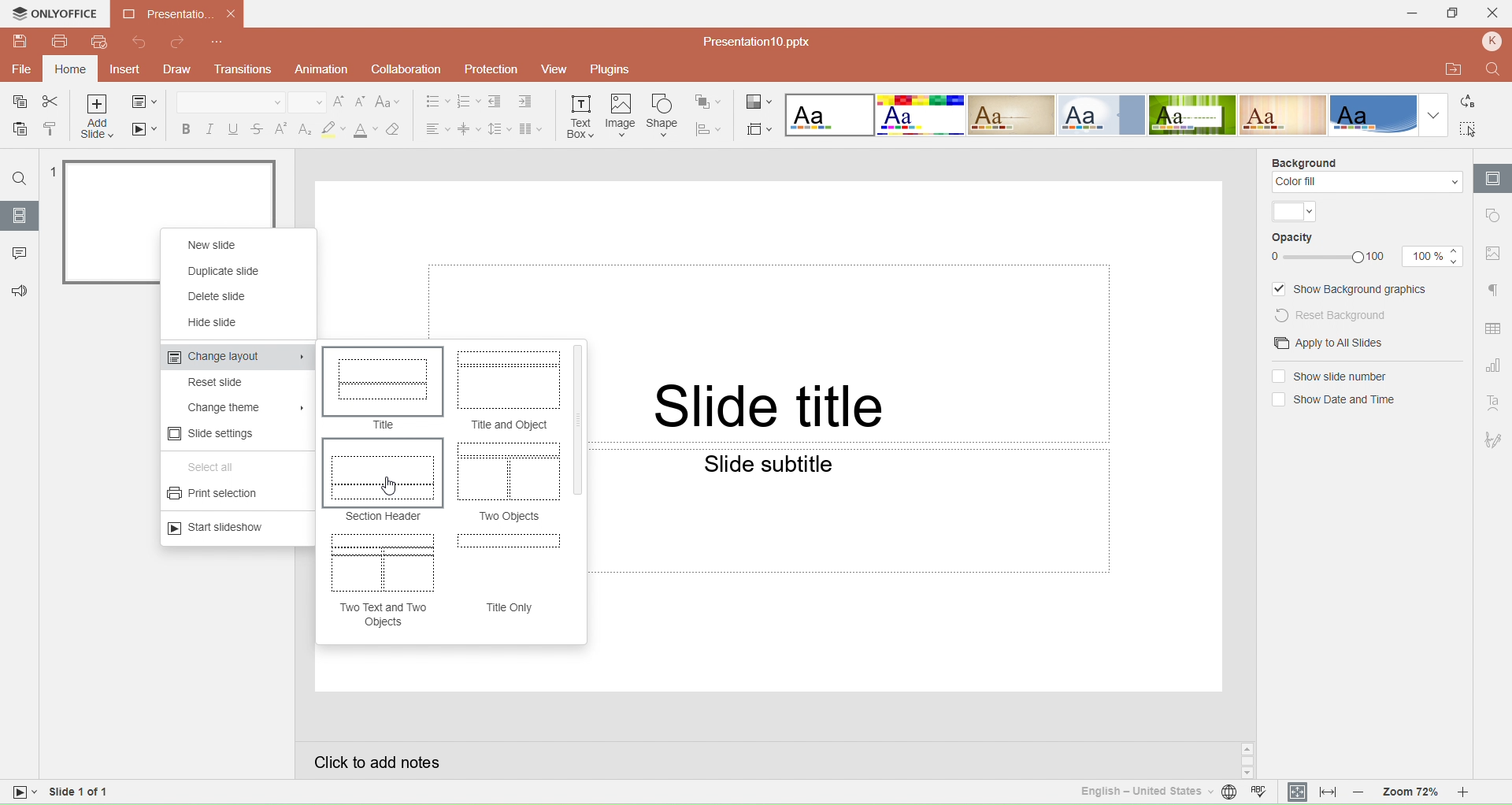 This screenshot has height=805, width=1512. What do you see at coordinates (235, 358) in the screenshot?
I see `Change layout` at bounding box center [235, 358].